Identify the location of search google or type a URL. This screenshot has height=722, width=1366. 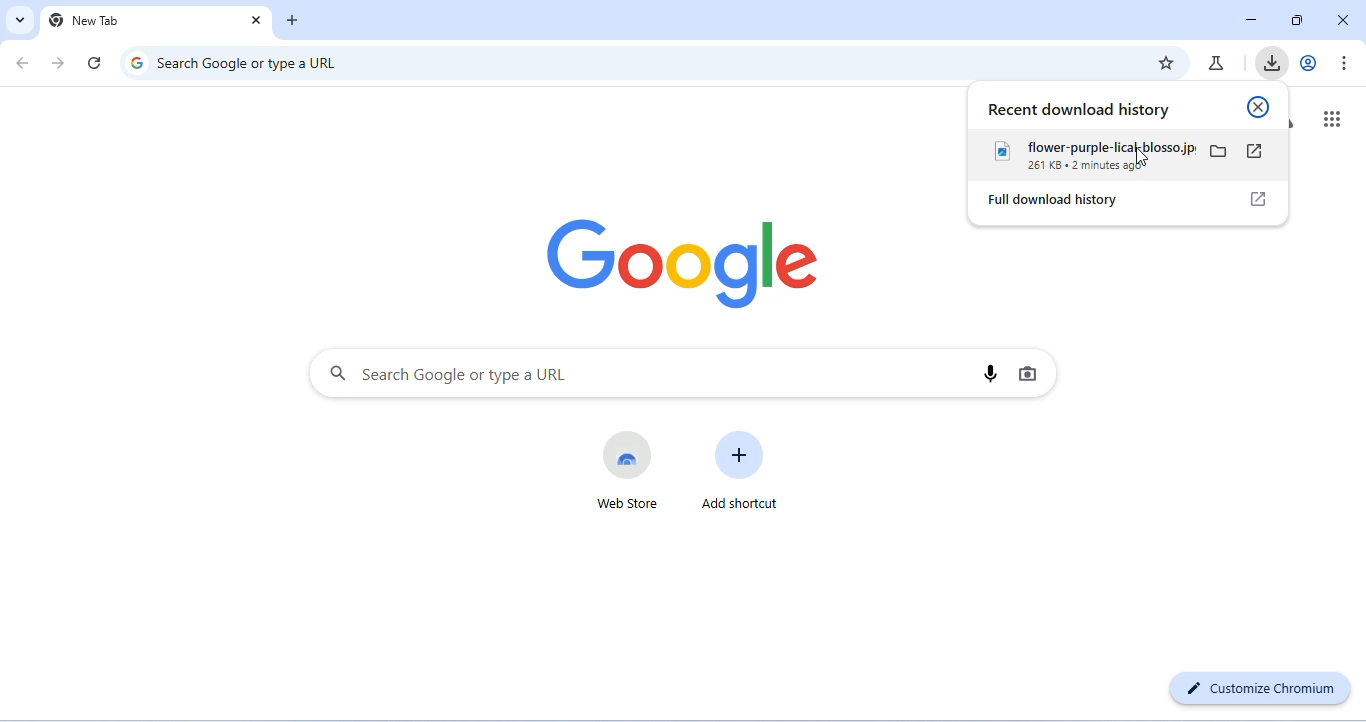
(233, 62).